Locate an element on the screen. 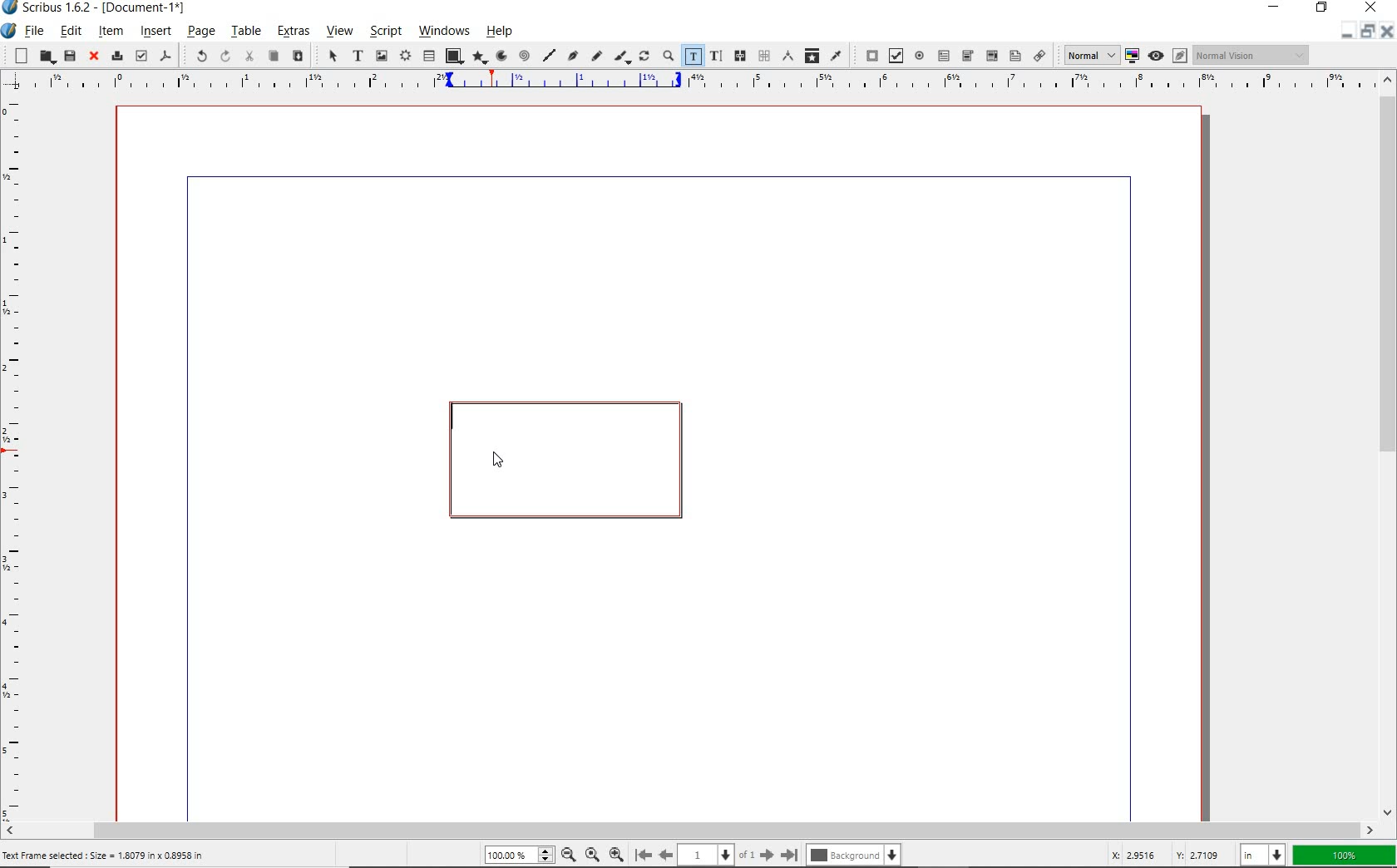 This screenshot has width=1397, height=868. undo is located at coordinates (196, 55).